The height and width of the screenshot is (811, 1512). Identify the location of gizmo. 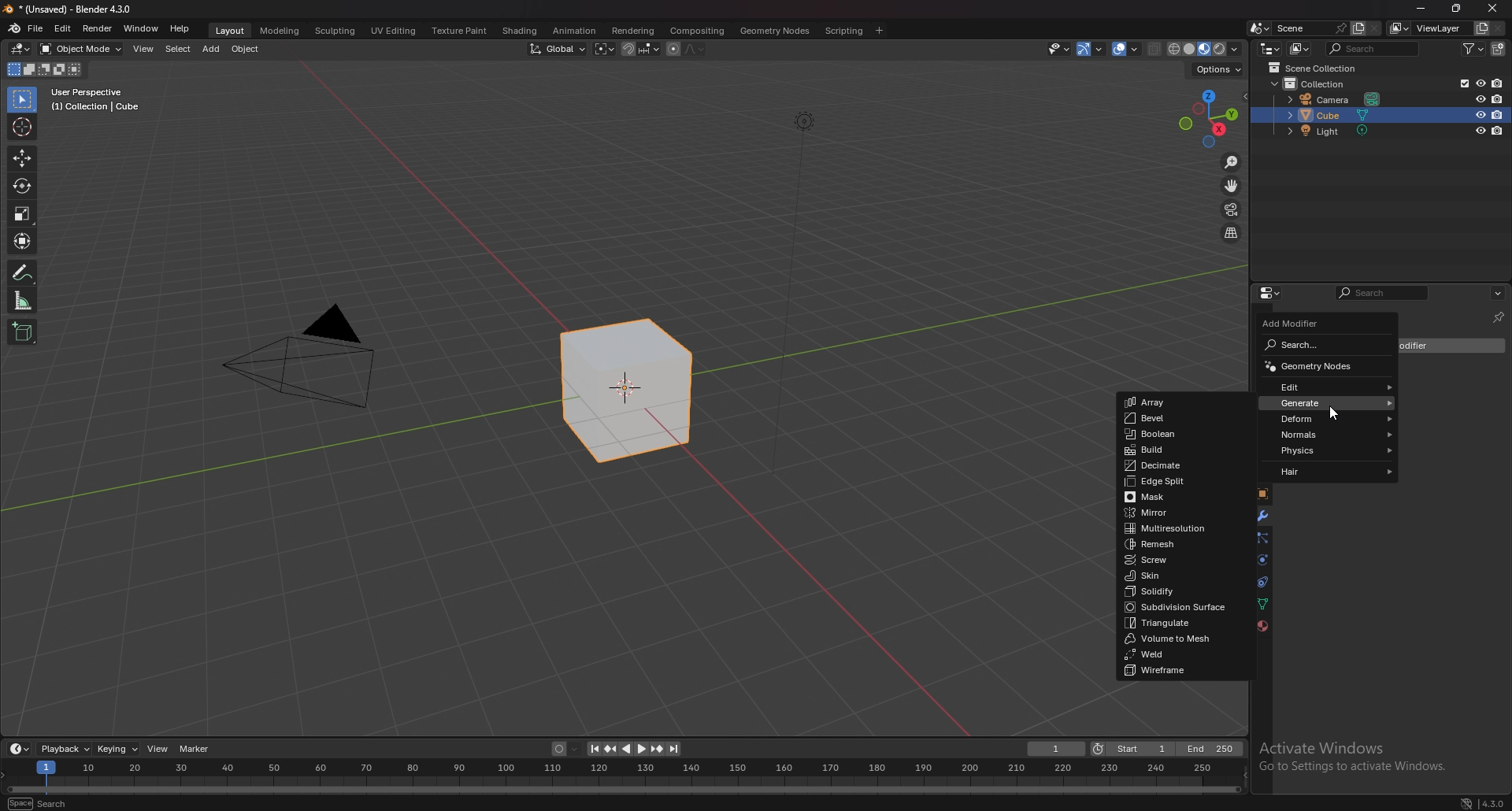
(1092, 49).